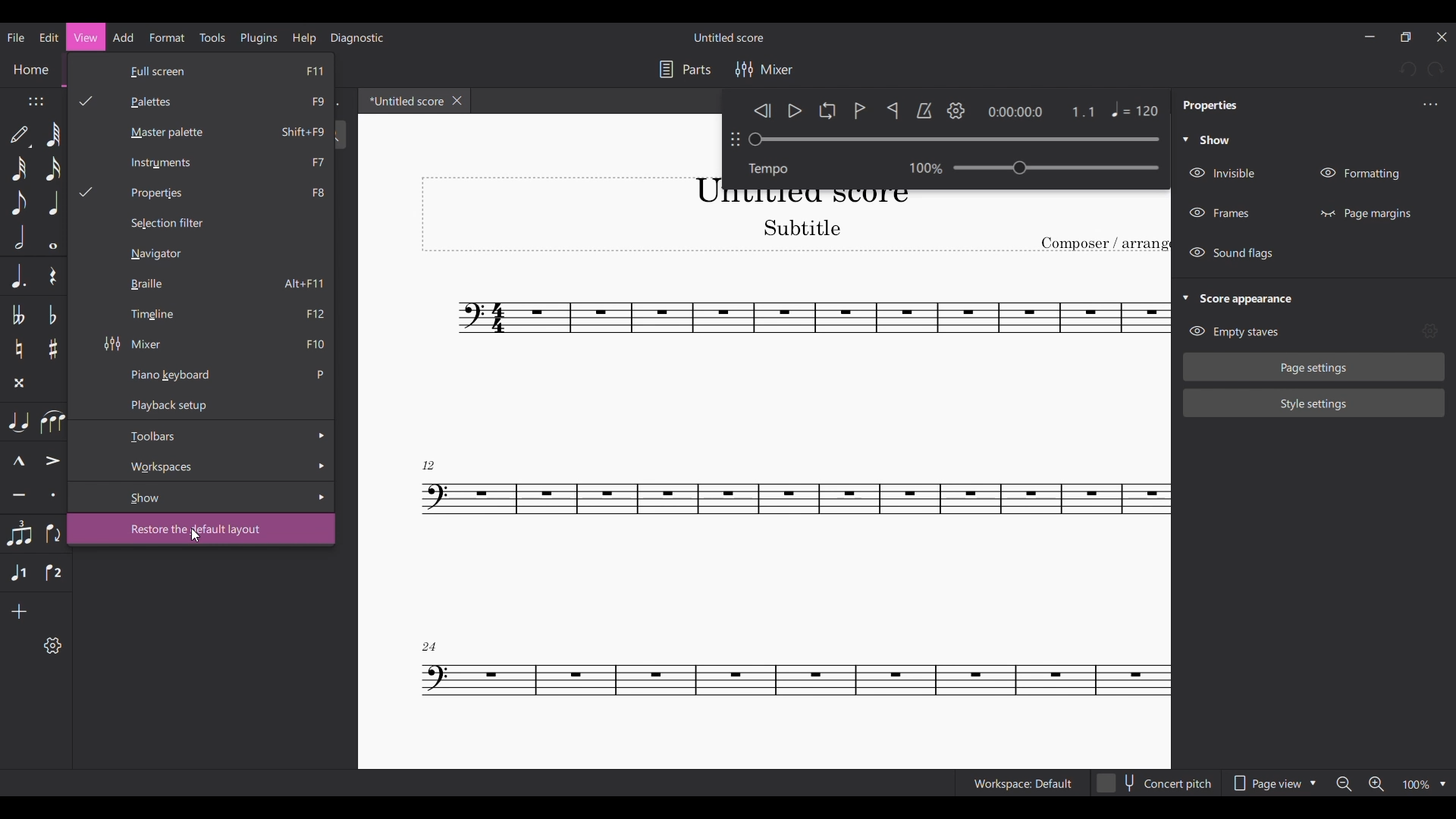 The width and height of the screenshot is (1456, 819). Describe the element at coordinates (1118, 113) in the screenshot. I see `120` at that location.